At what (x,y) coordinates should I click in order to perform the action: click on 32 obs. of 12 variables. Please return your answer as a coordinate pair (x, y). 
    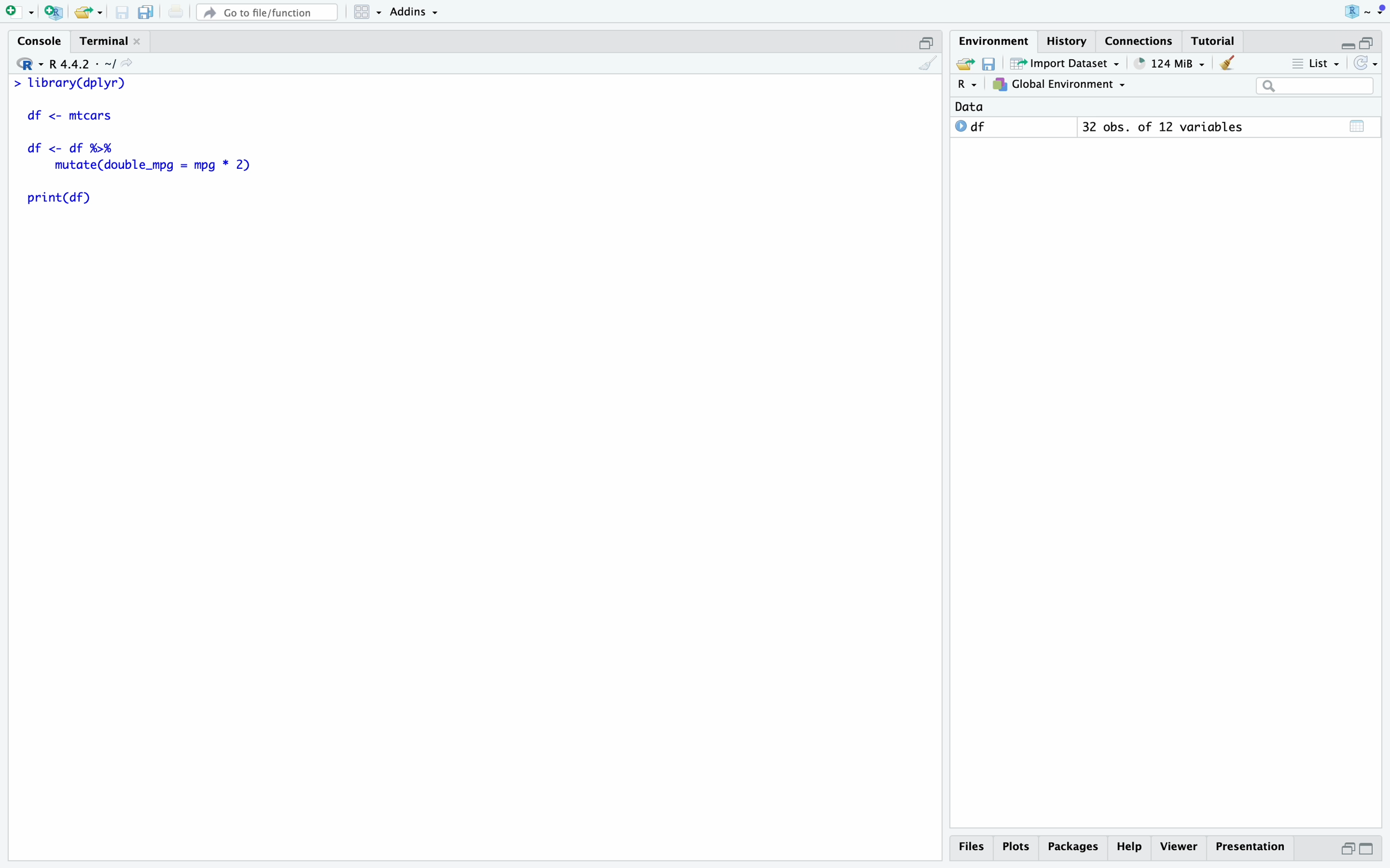
    Looking at the image, I should click on (1164, 127).